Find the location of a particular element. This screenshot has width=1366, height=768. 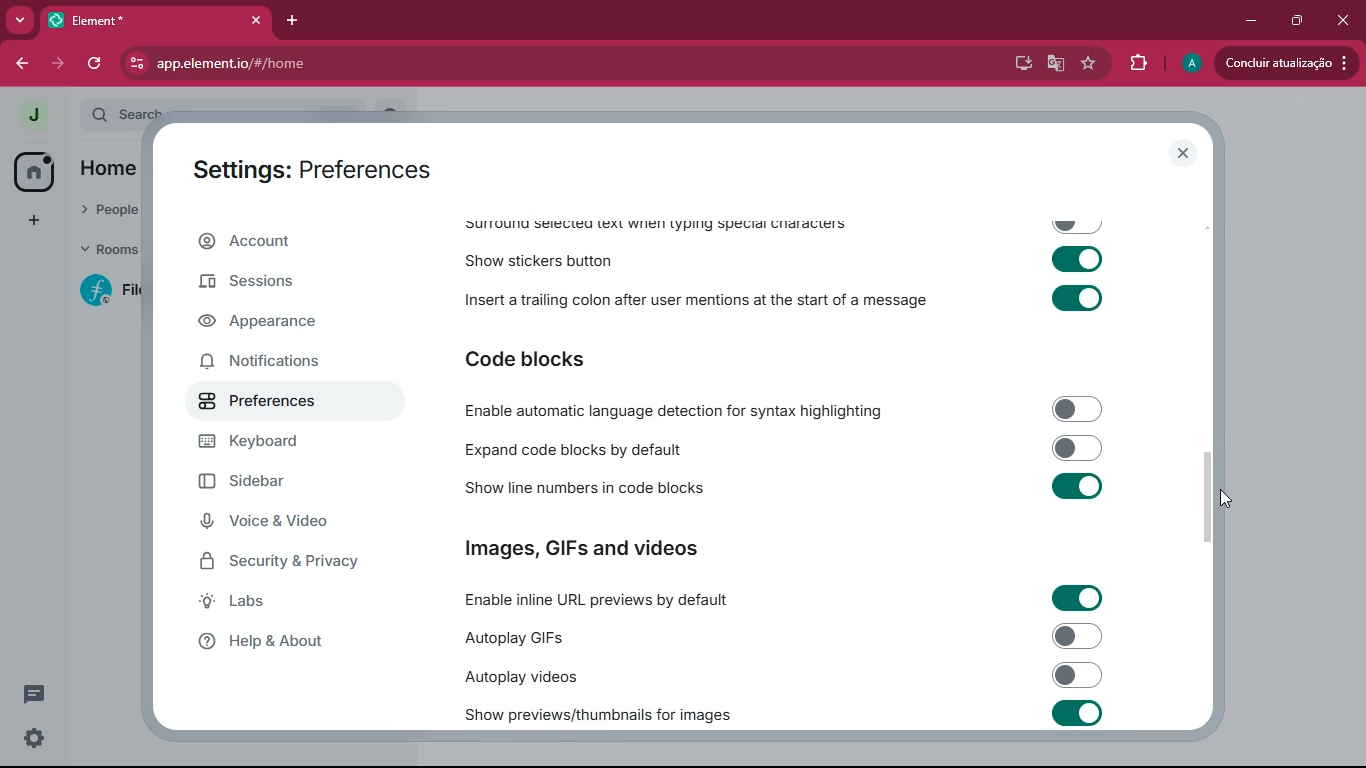

labs is located at coordinates (283, 605).